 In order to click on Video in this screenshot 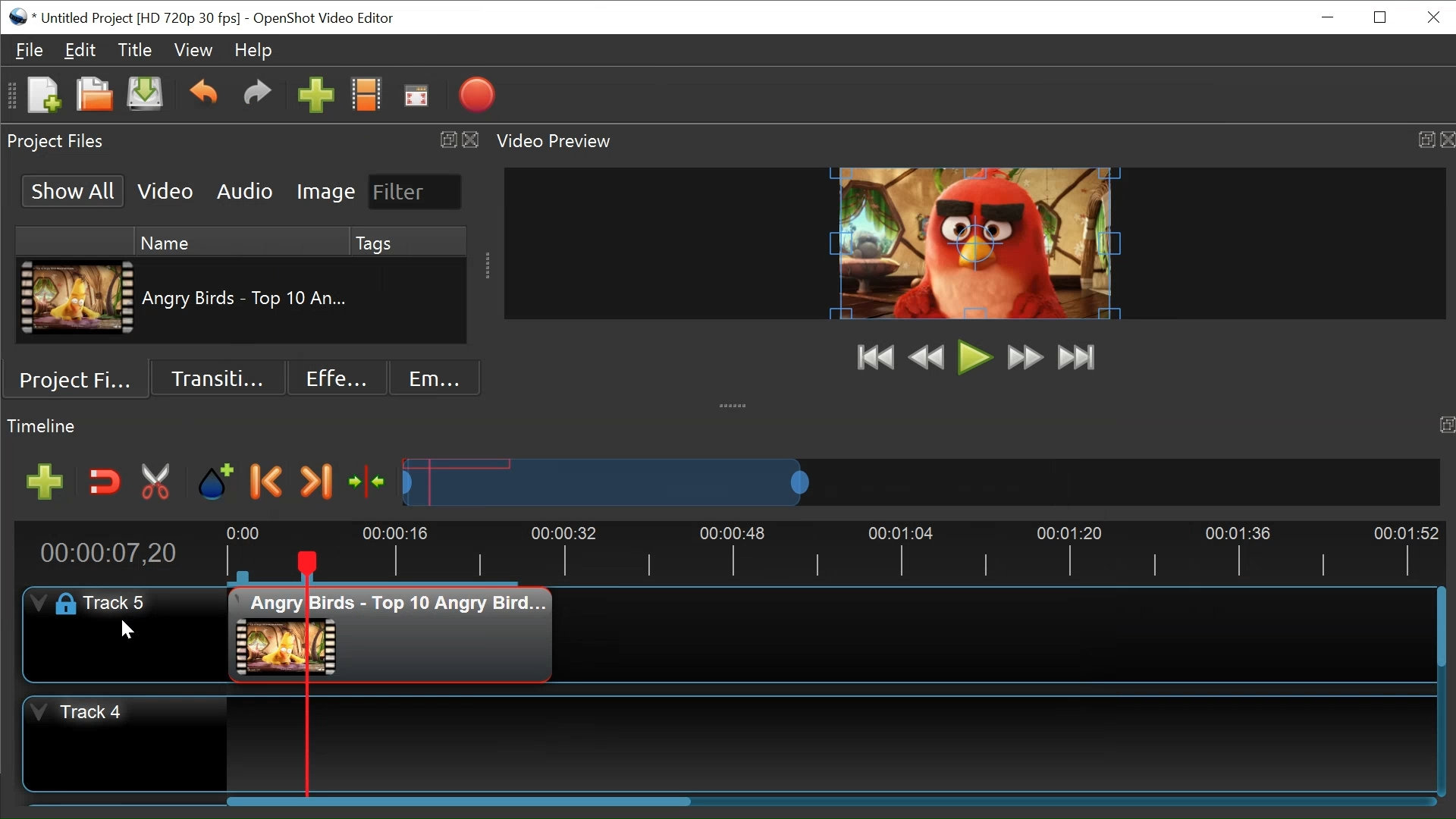, I will do `click(167, 191)`.